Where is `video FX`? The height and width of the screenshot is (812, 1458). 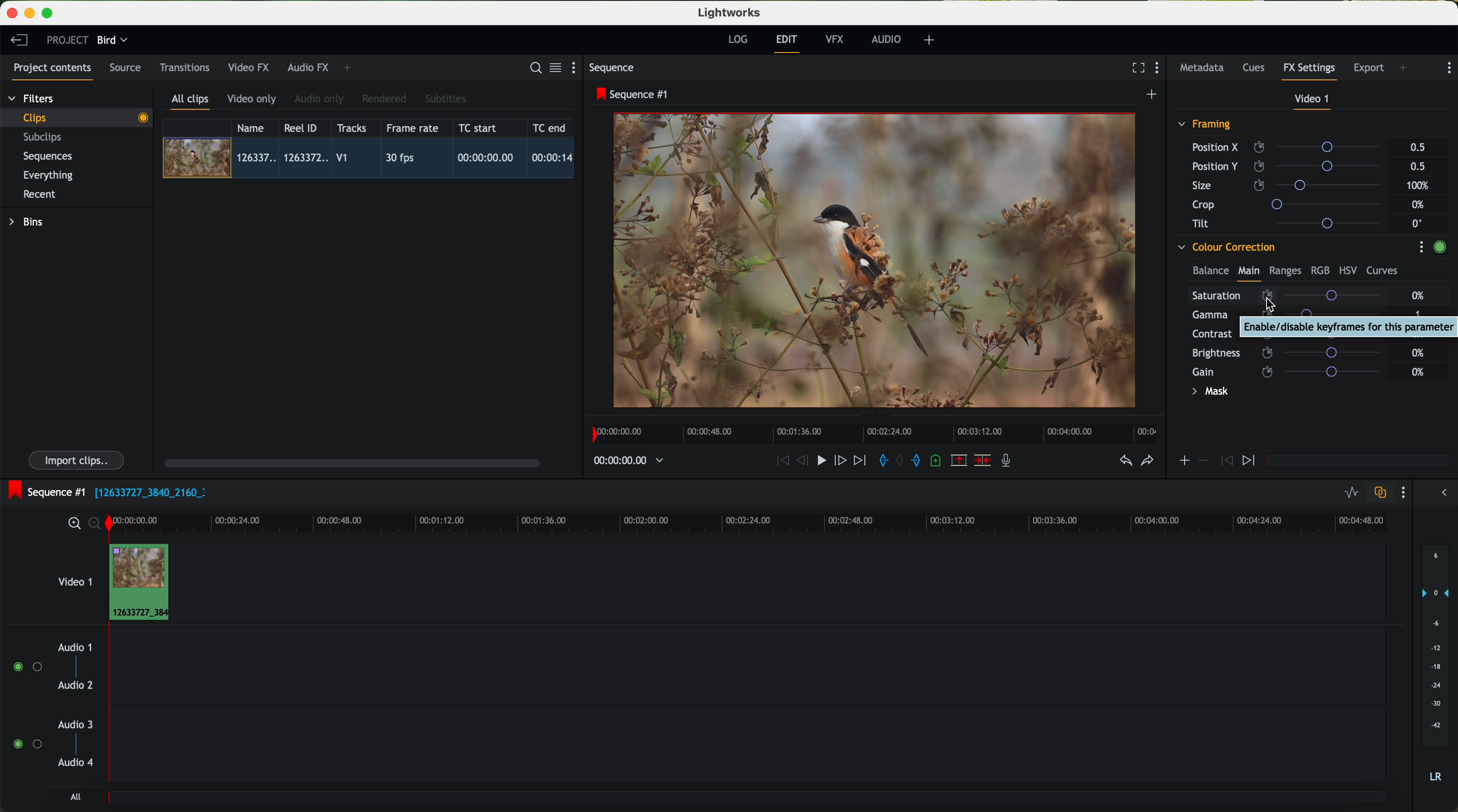 video FX is located at coordinates (251, 67).